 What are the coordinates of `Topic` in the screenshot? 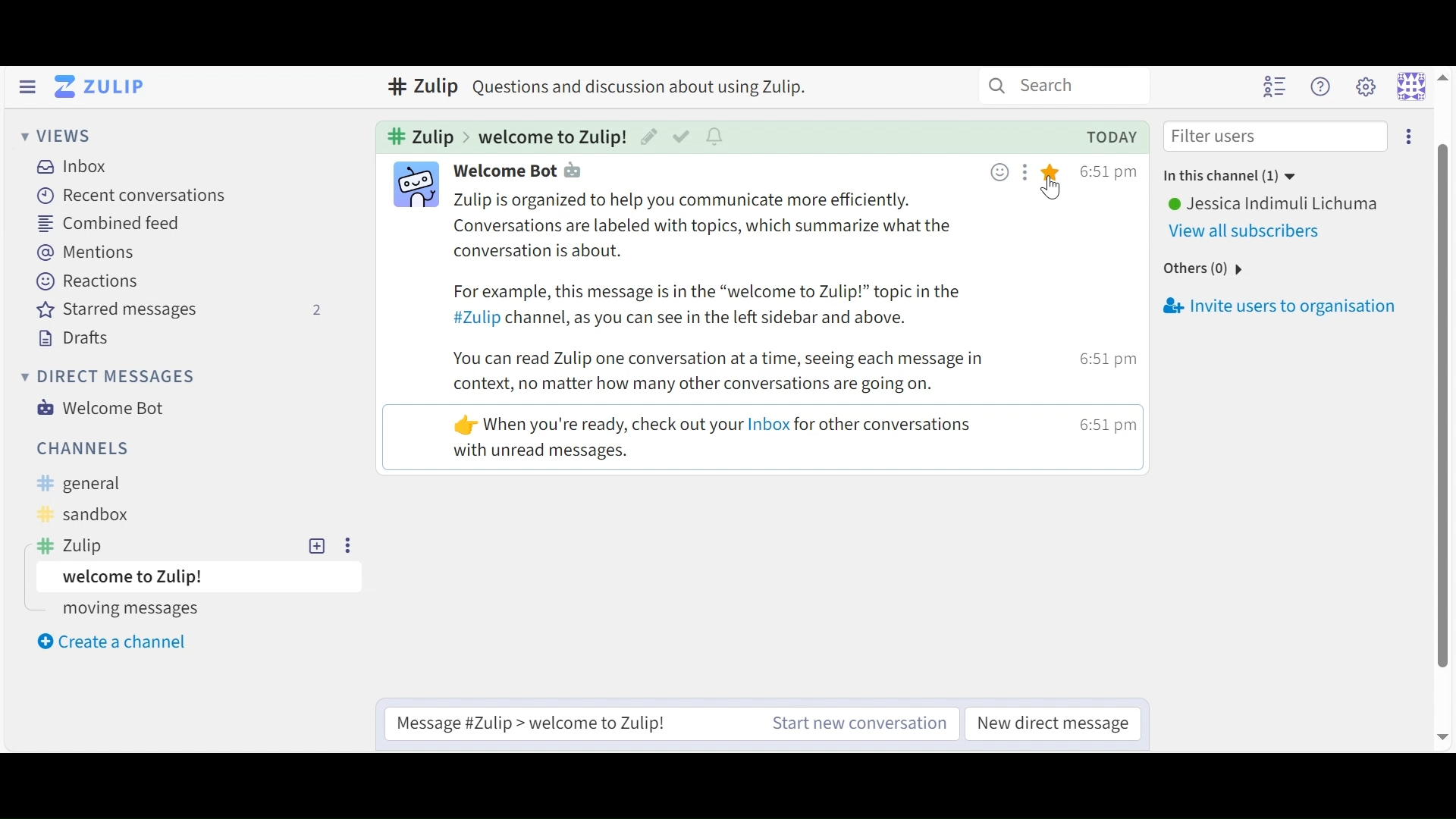 It's located at (206, 579).